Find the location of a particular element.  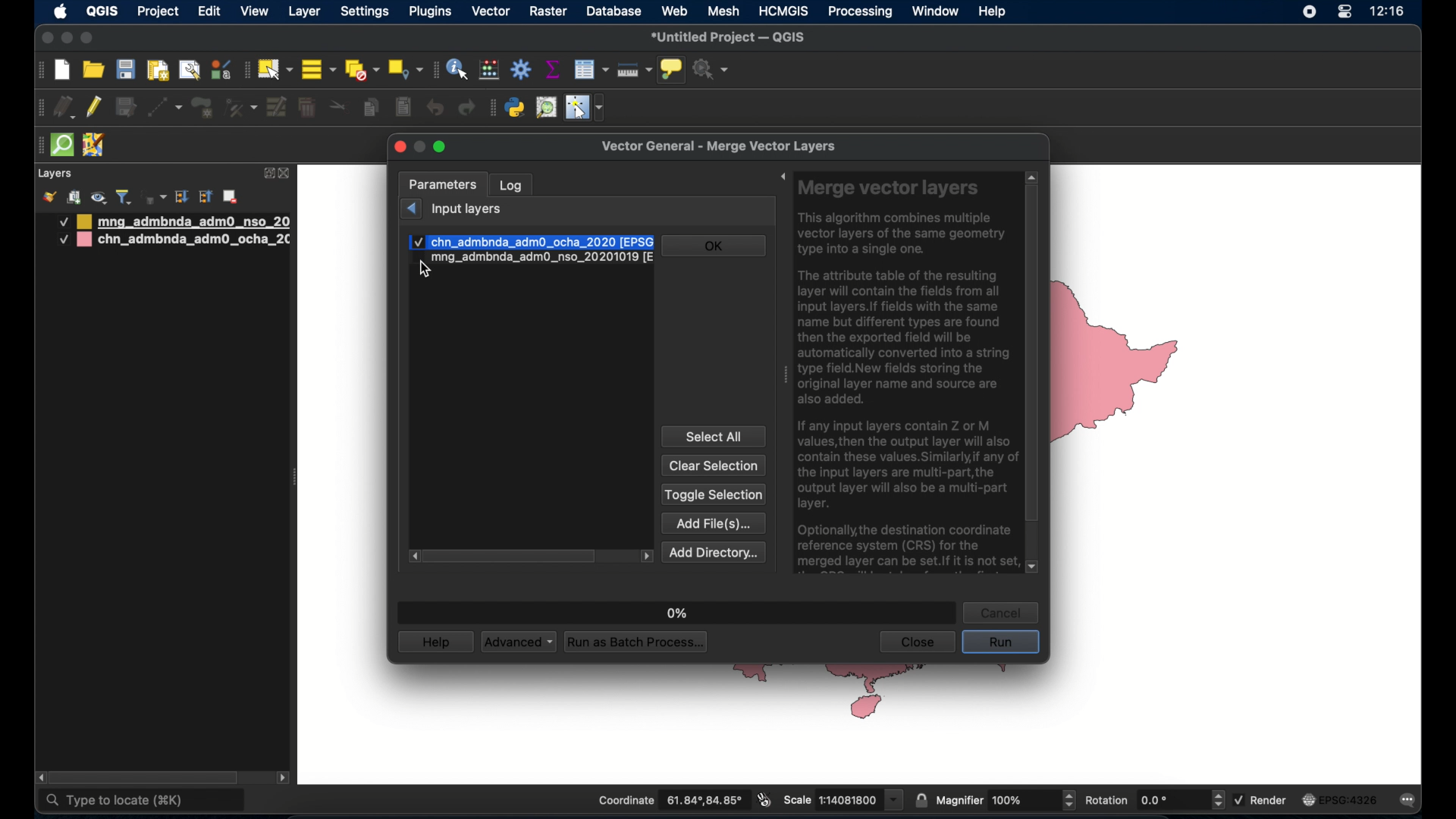

scroll left arrow is located at coordinates (647, 556).